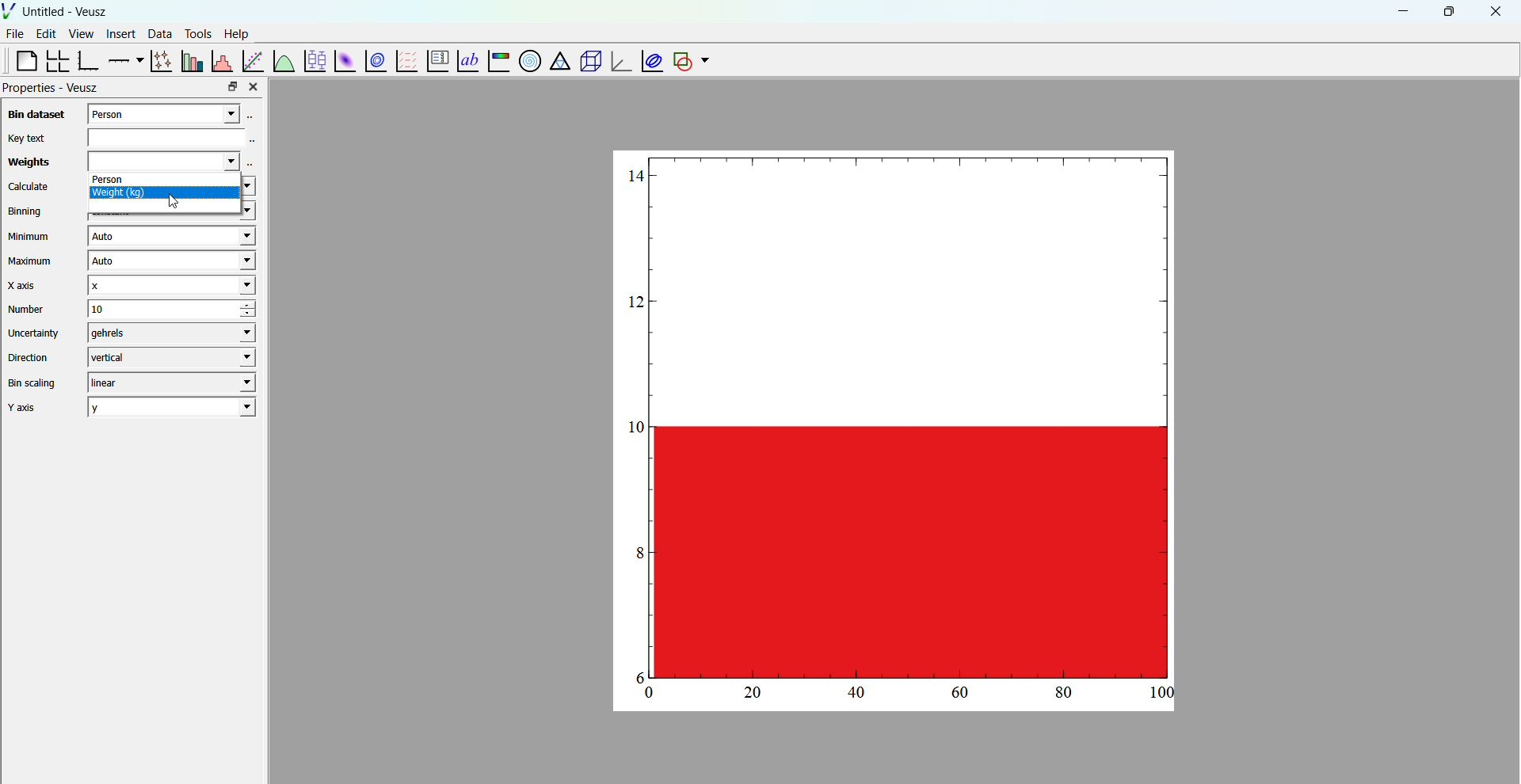 This screenshot has width=1521, height=784. I want to click on Histogram of a dataset, so click(221, 59).